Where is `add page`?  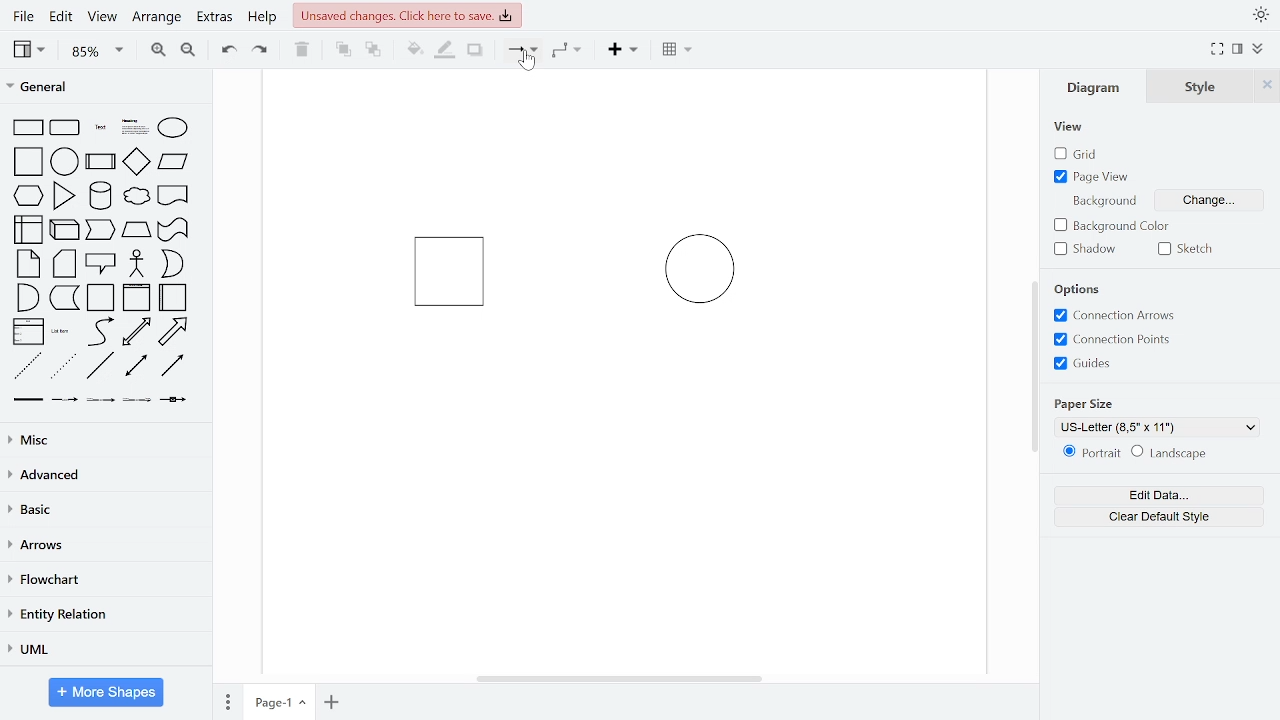
add page is located at coordinates (332, 702).